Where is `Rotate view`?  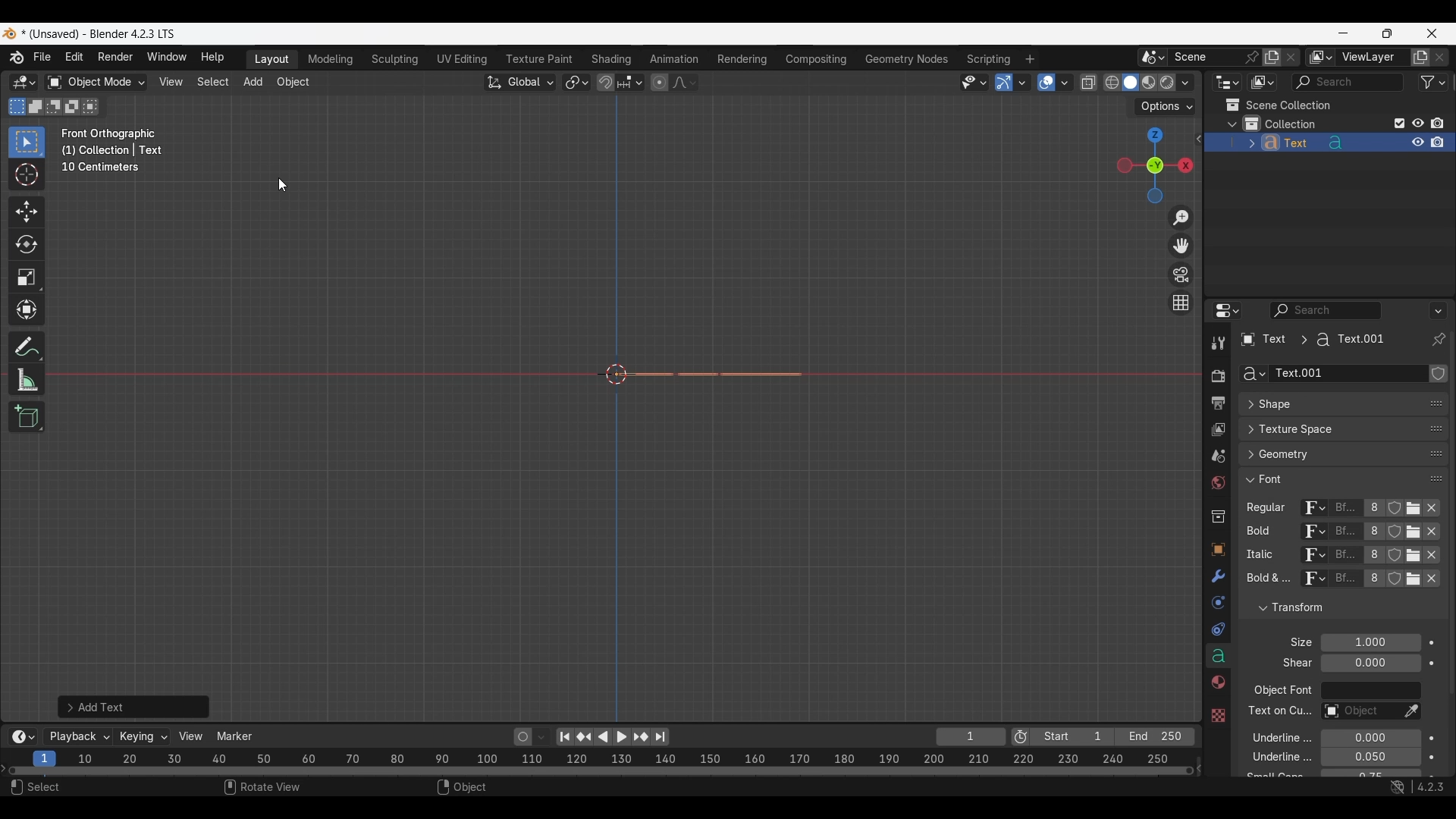
Rotate view is located at coordinates (262, 789).